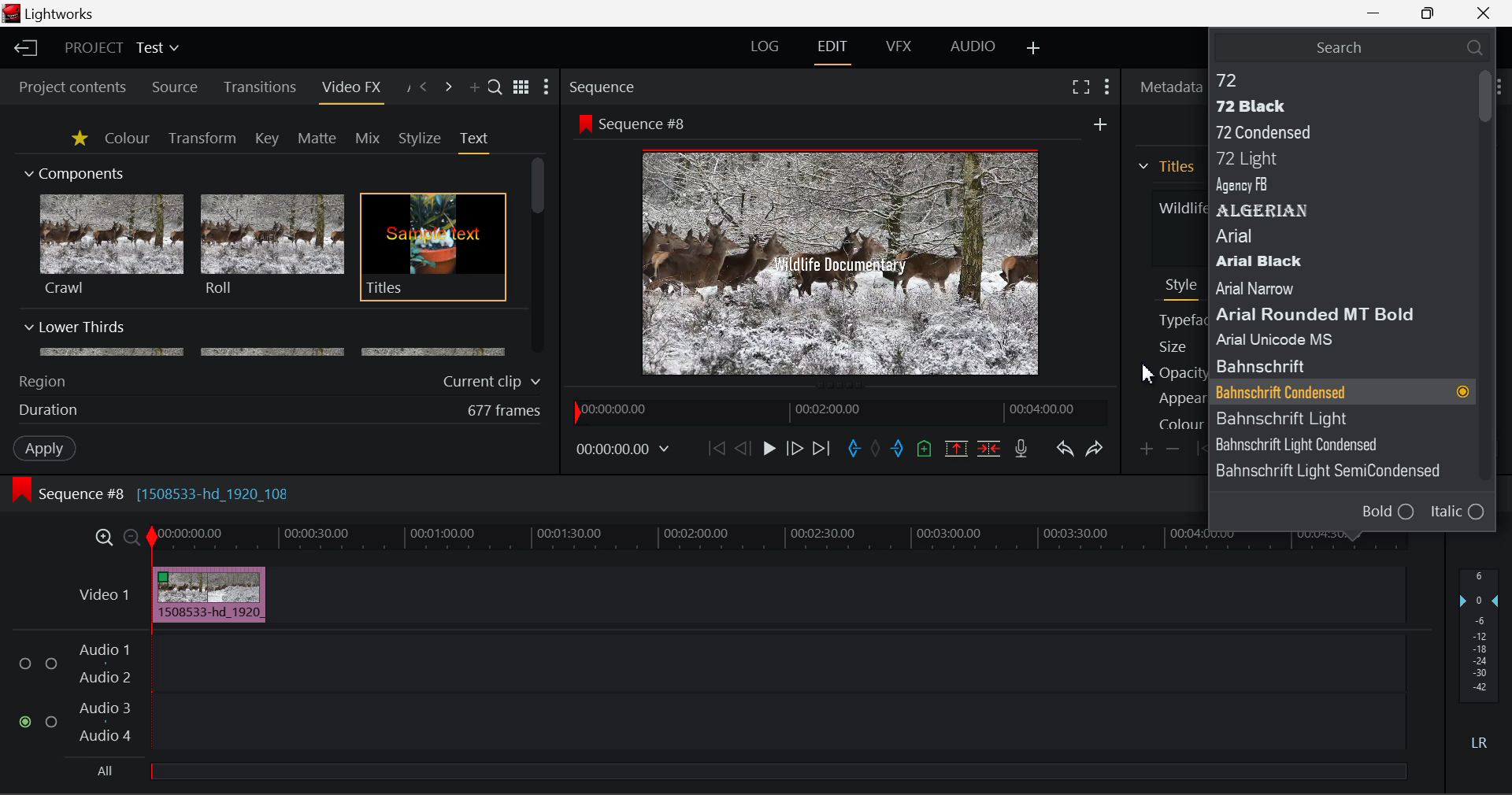 This screenshot has width=1512, height=795. What do you see at coordinates (877, 450) in the screenshot?
I see `Remove all marks` at bounding box center [877, 450].